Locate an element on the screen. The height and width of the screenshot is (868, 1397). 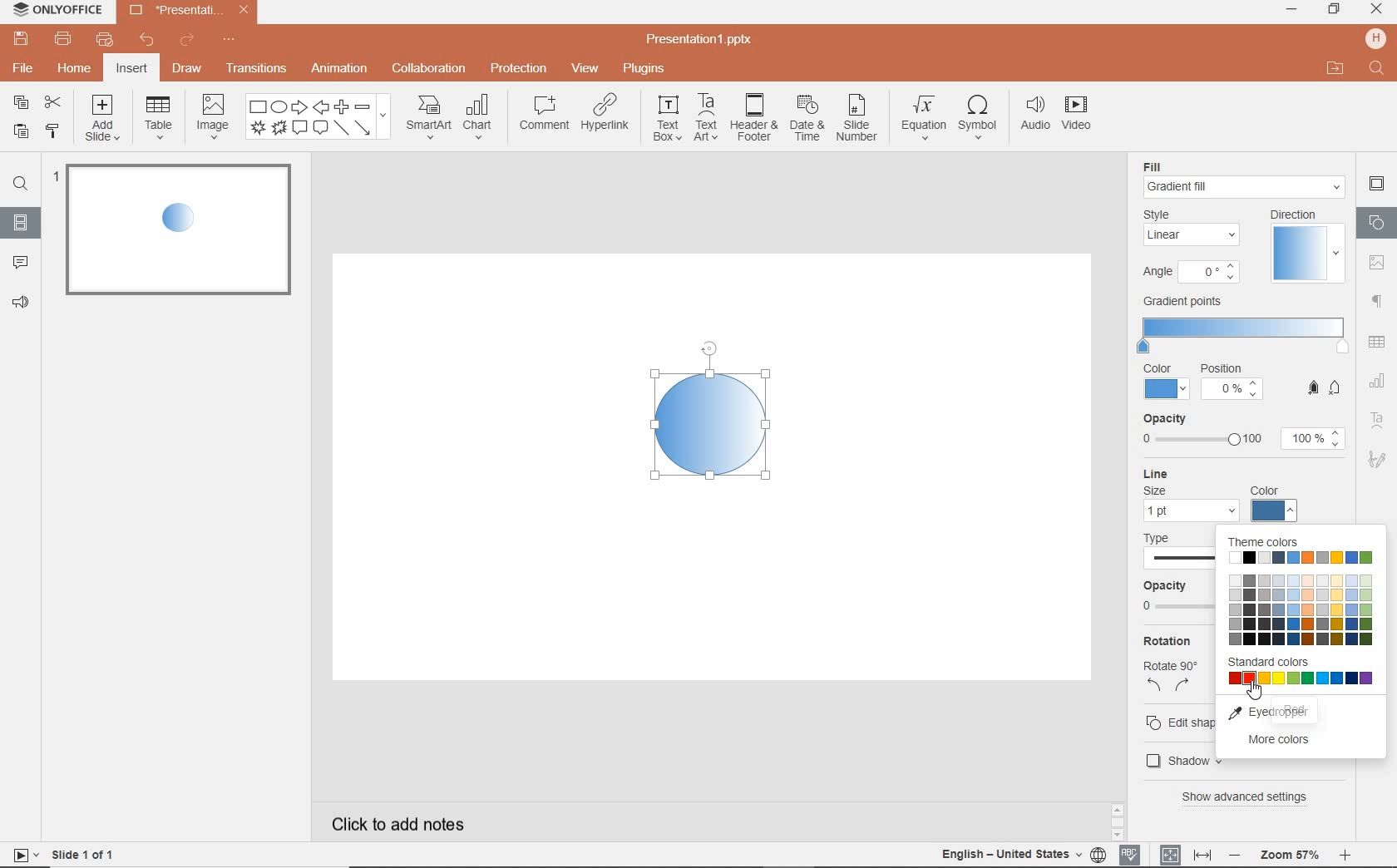
chart is located at coordinates (1376, 382).